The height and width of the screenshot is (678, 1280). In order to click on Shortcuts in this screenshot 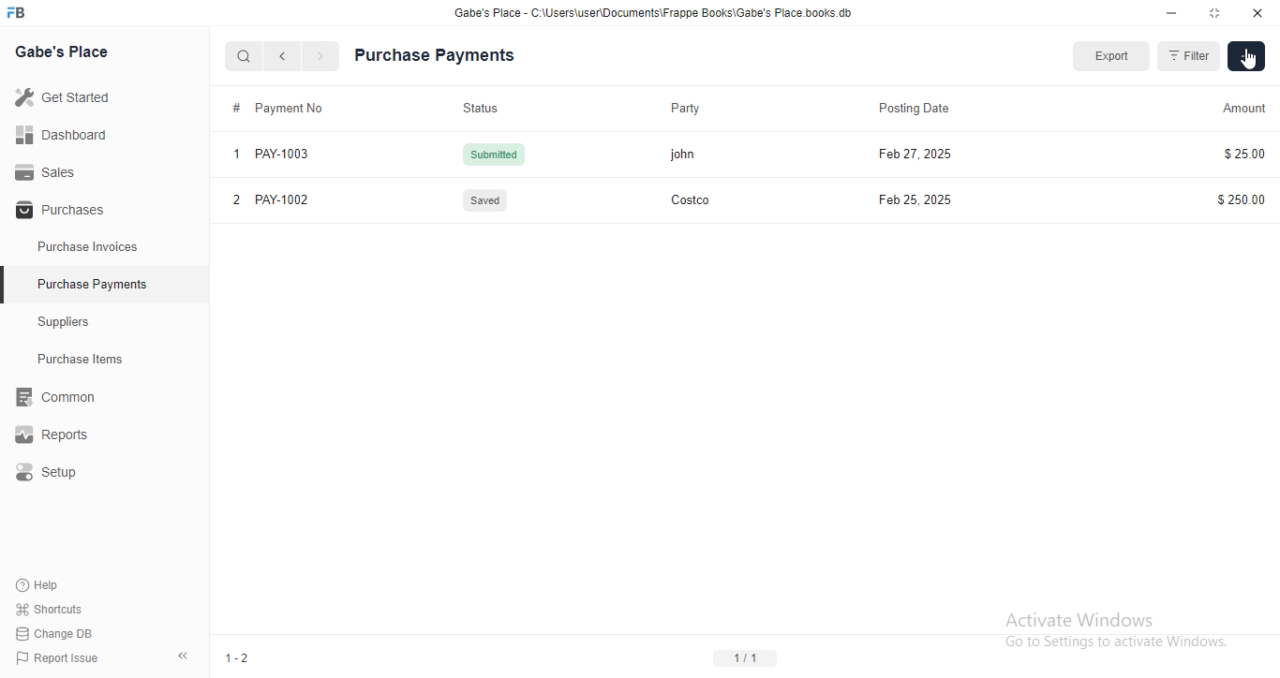, I will do `click(47, 610)`.